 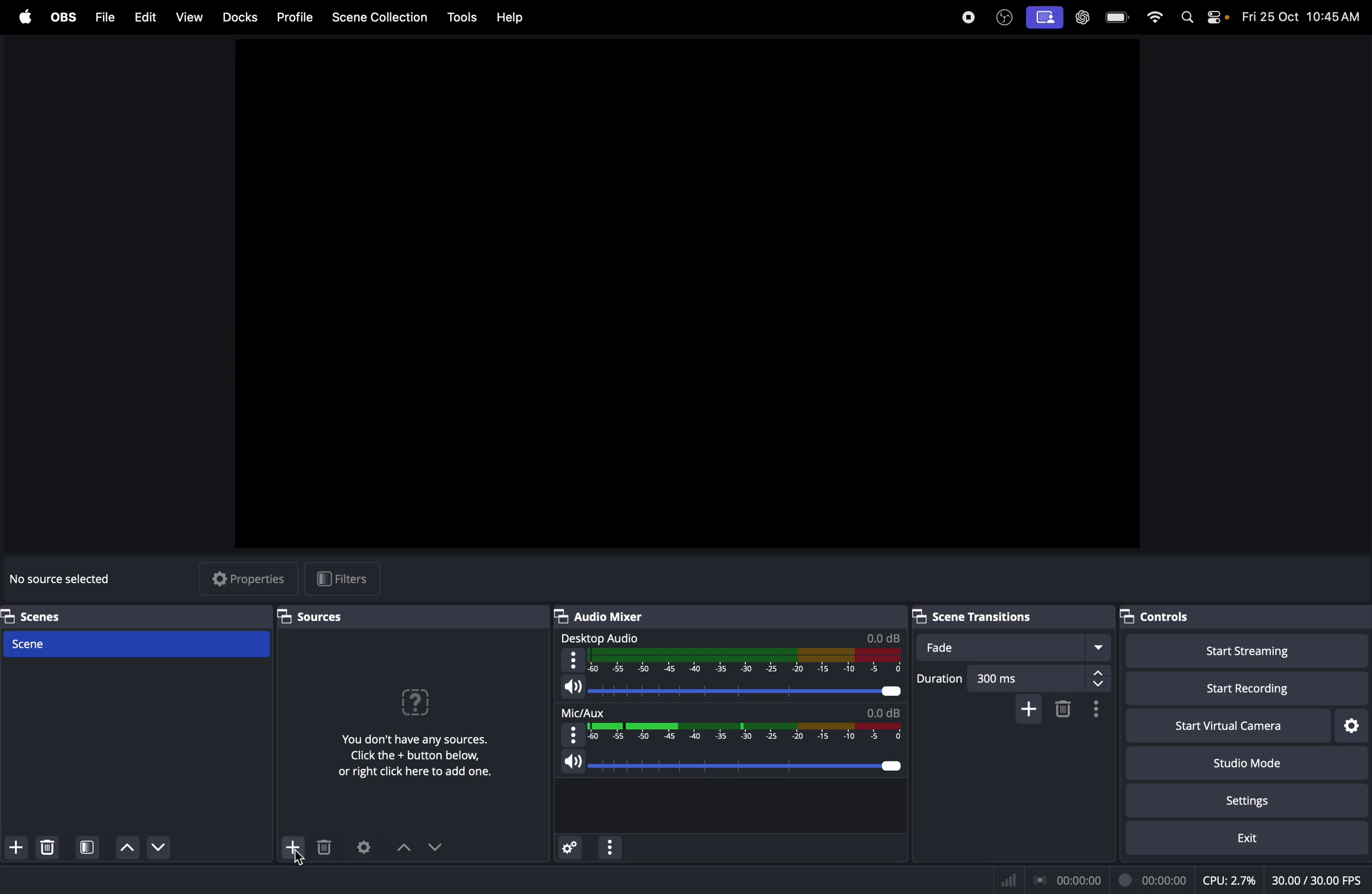 I want to click on drop uo, so click(x=405, y=849).